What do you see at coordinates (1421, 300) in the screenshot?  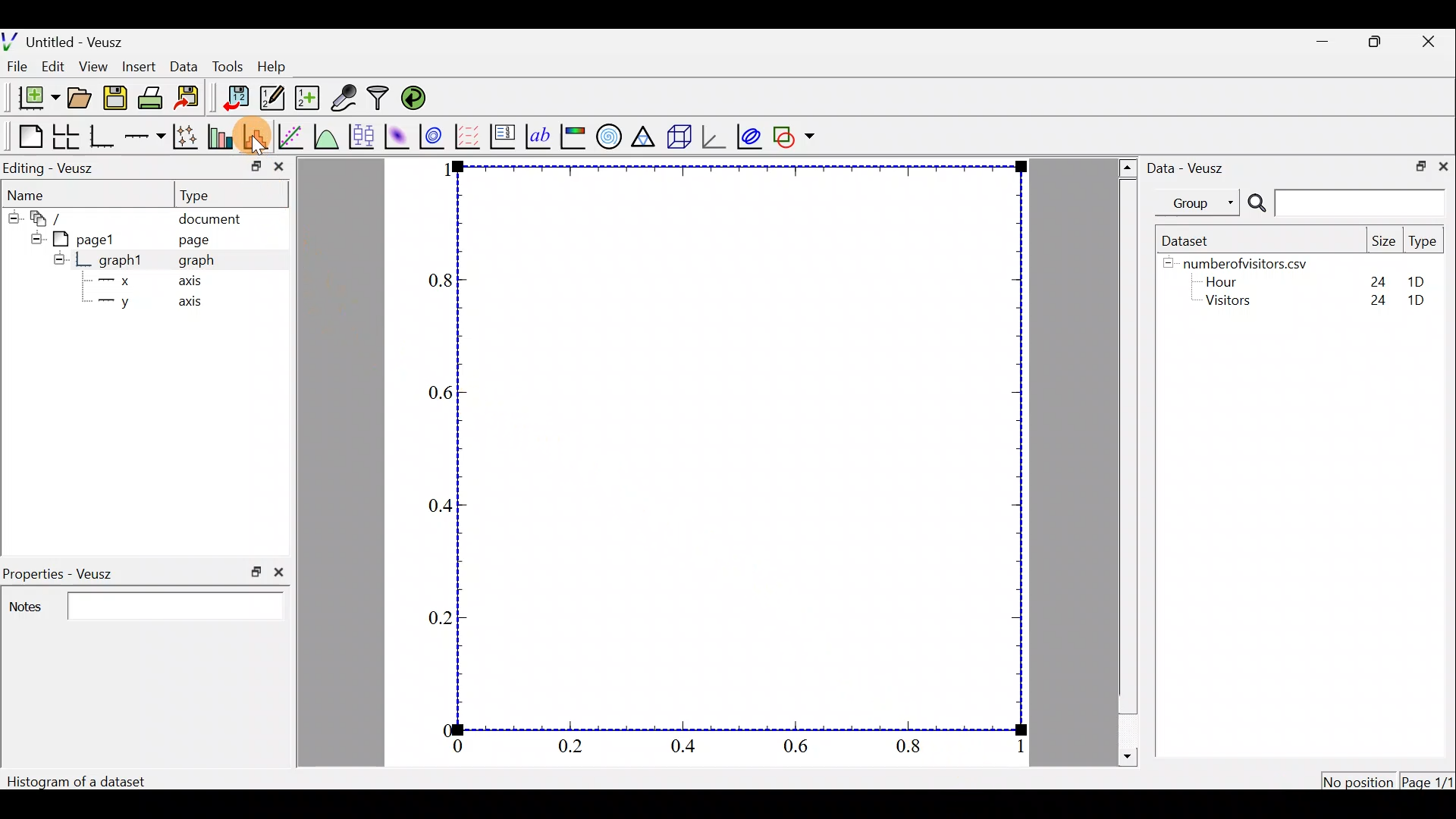 I see `1D` at bounding box center [1421, 300].